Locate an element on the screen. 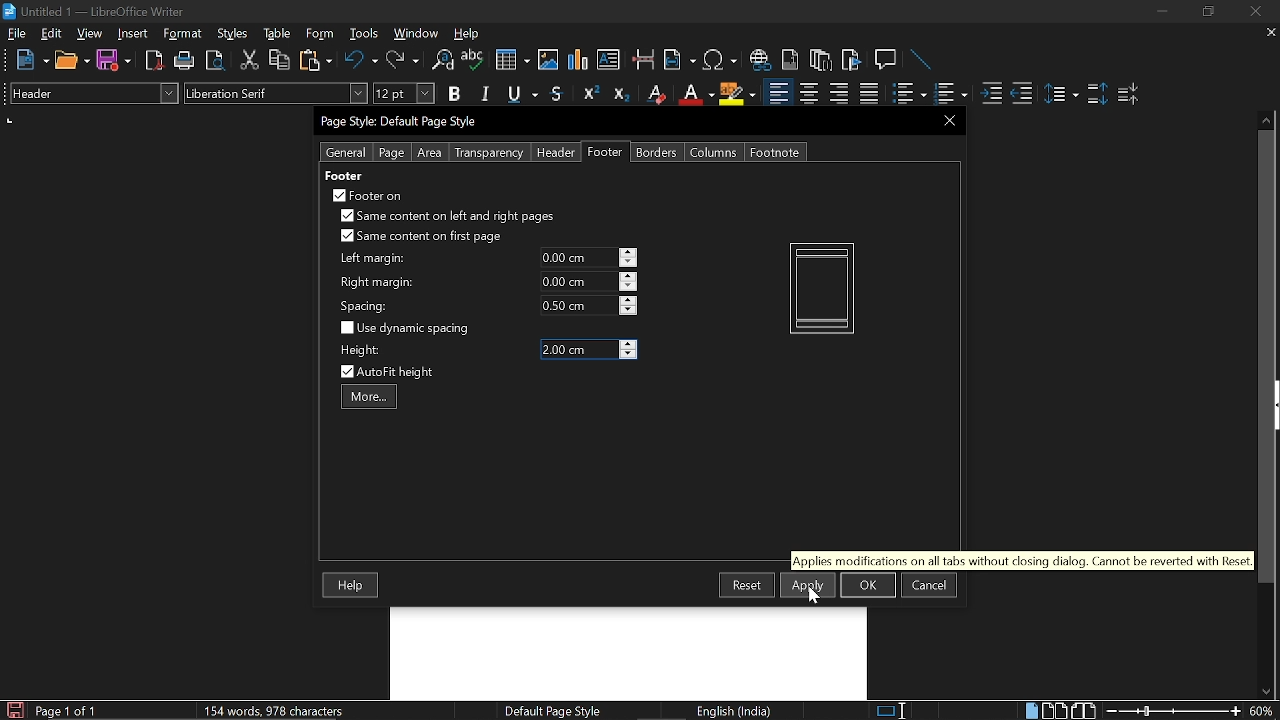 This screenshot has height=720, width=1280. Line is located at coordinates (922, 61).